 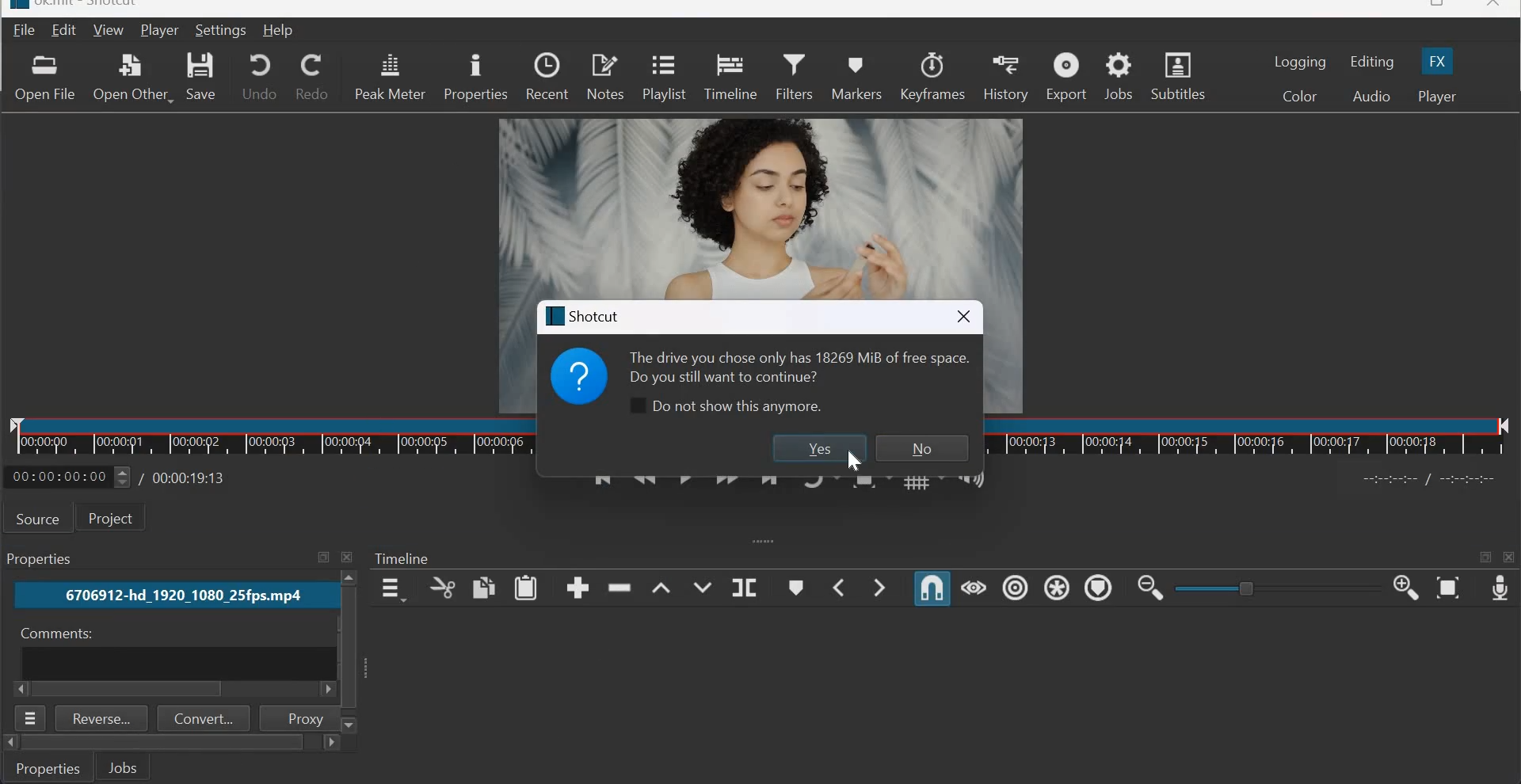 I want to click on Timeline, so click(x=272, y=438).